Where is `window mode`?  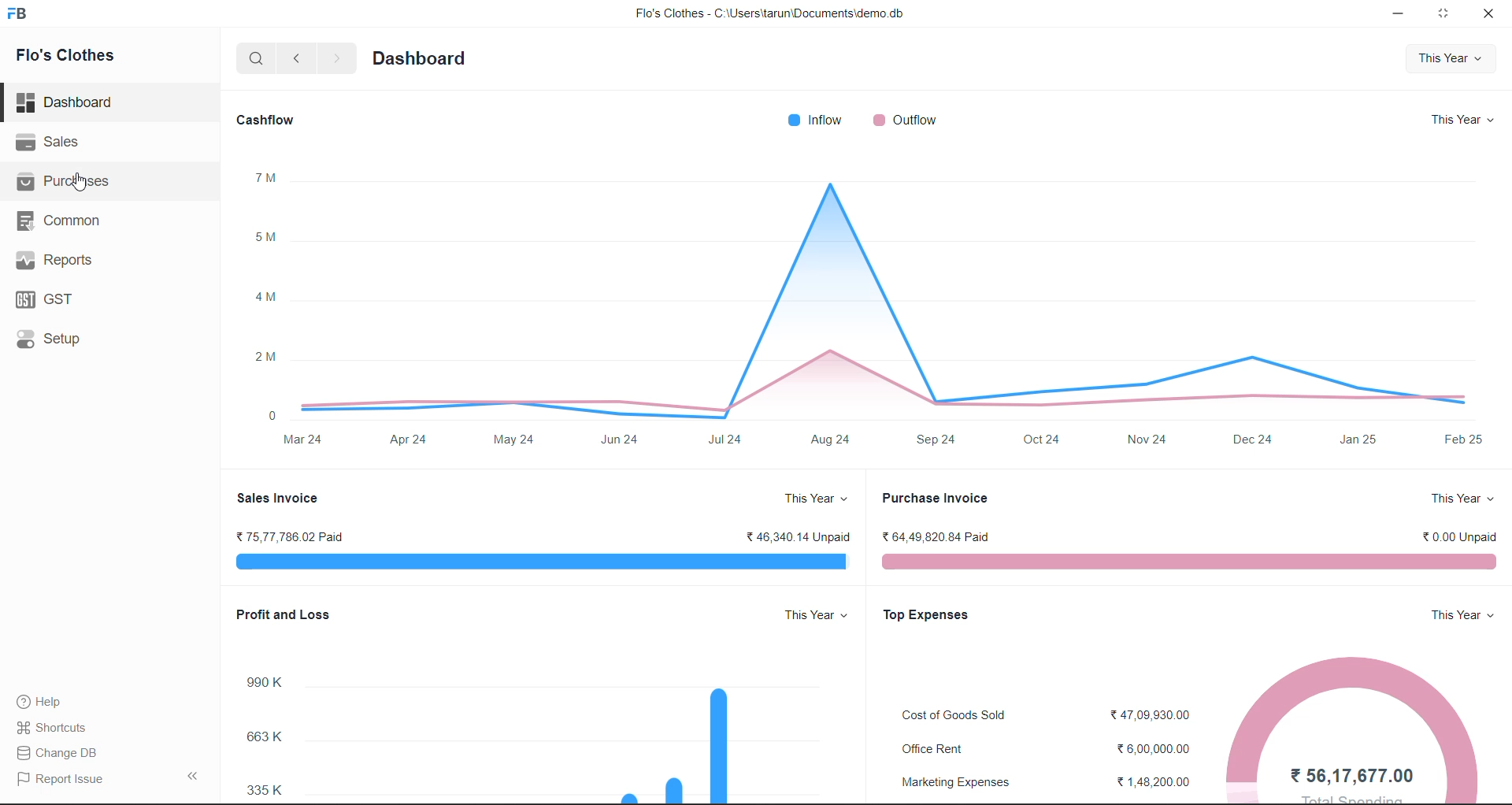
window mode is located at coordinates (1445, 13).